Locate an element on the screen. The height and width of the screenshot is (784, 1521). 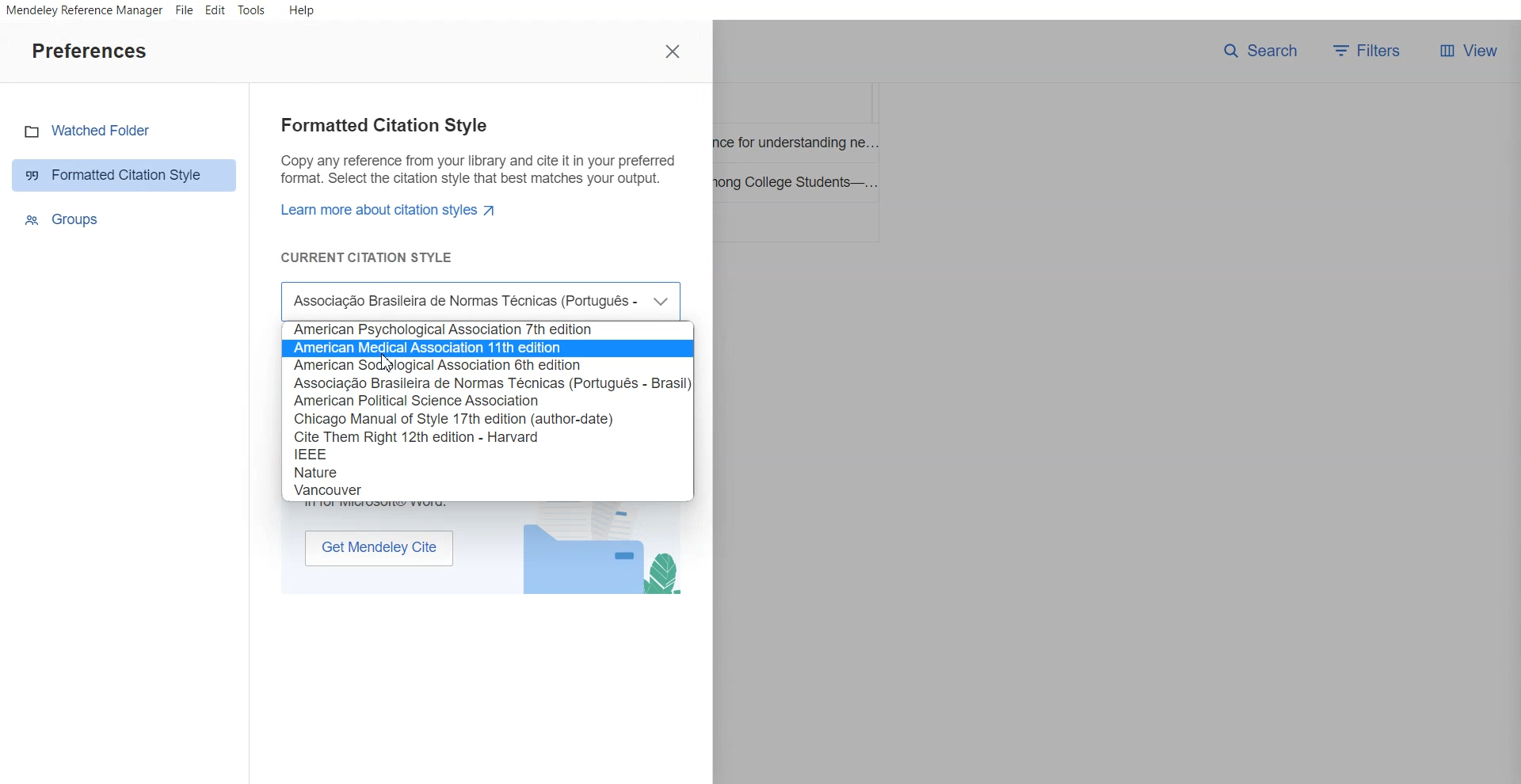
Citation is located at coordinates (489, 348).